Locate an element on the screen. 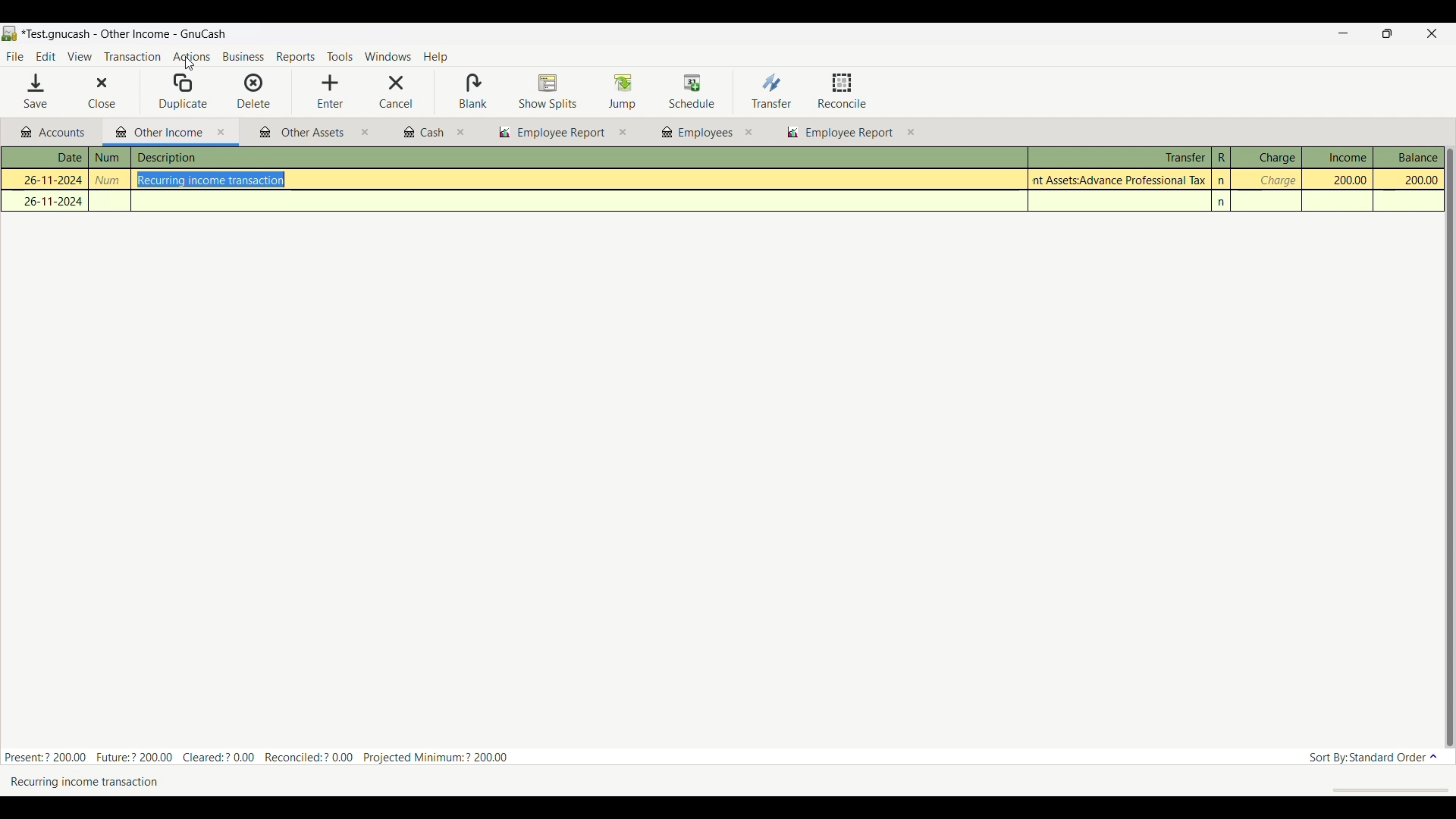 This screenshot has width=1456, height=819. Edit menu is located at coordinates (45, 57).